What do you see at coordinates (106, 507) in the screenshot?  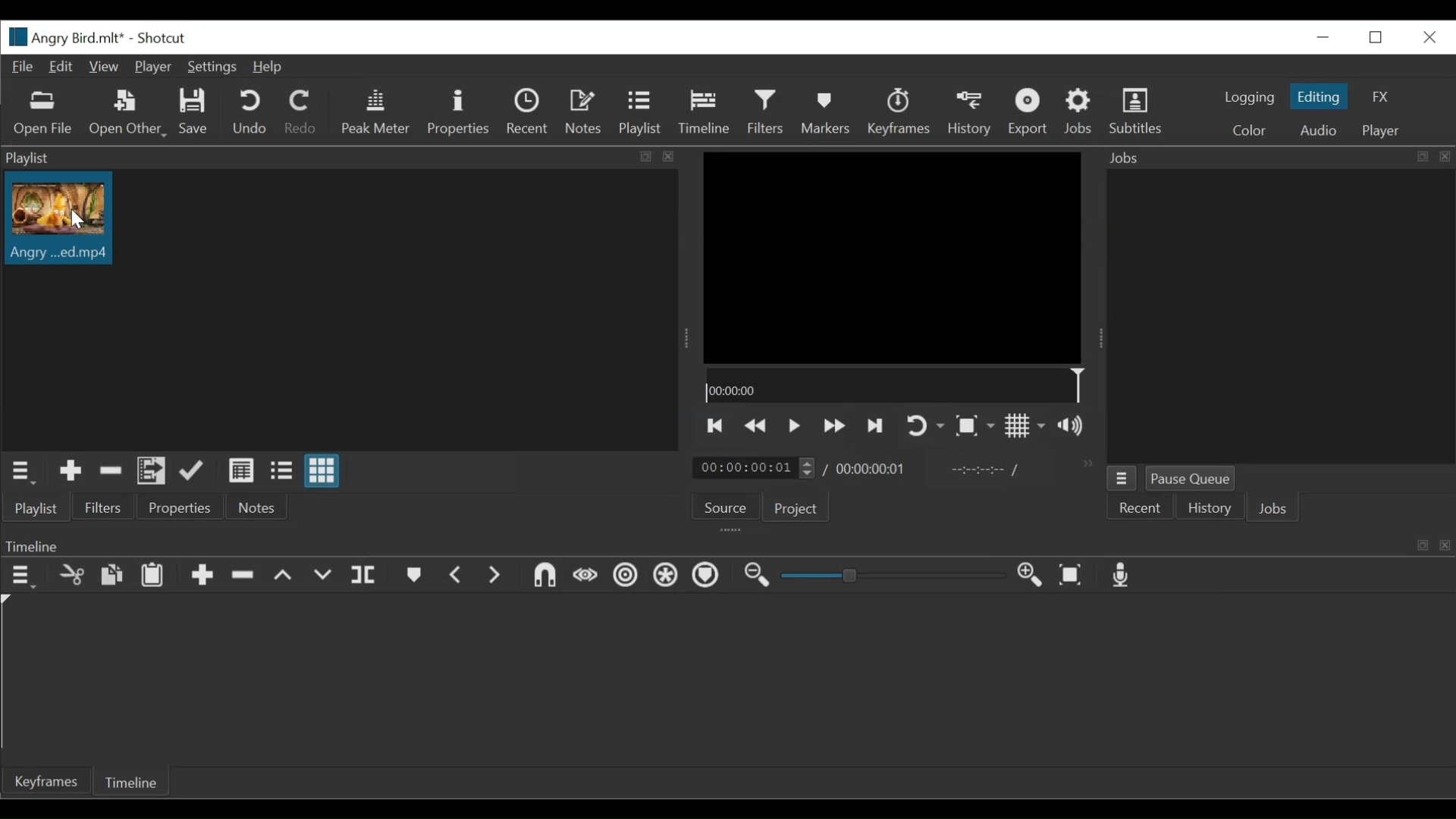 I see `Filters` at bounding box center [106, 507].